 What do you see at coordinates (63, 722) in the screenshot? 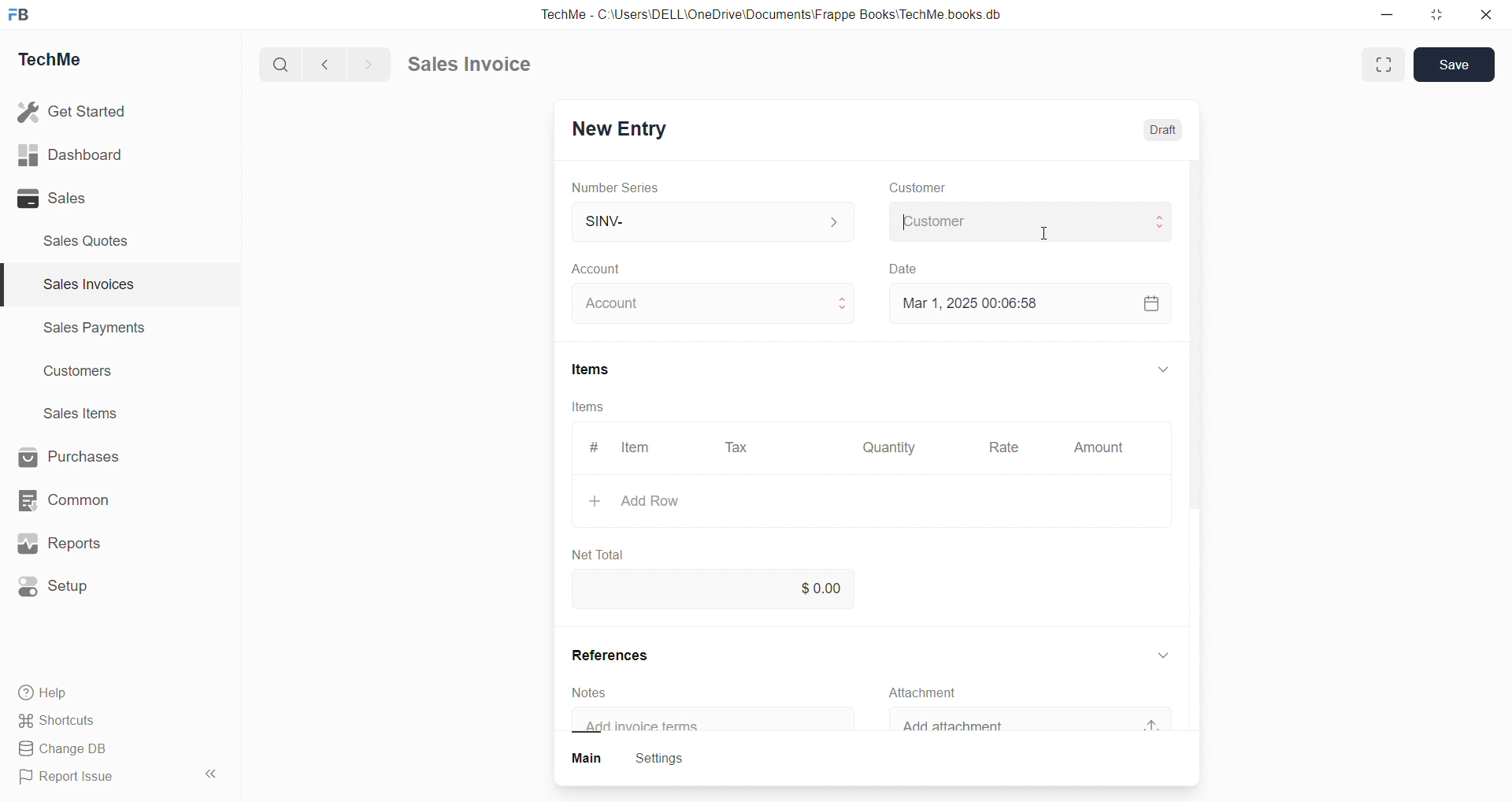
I see ` Shortcuts` at bounding box center [63, 722].